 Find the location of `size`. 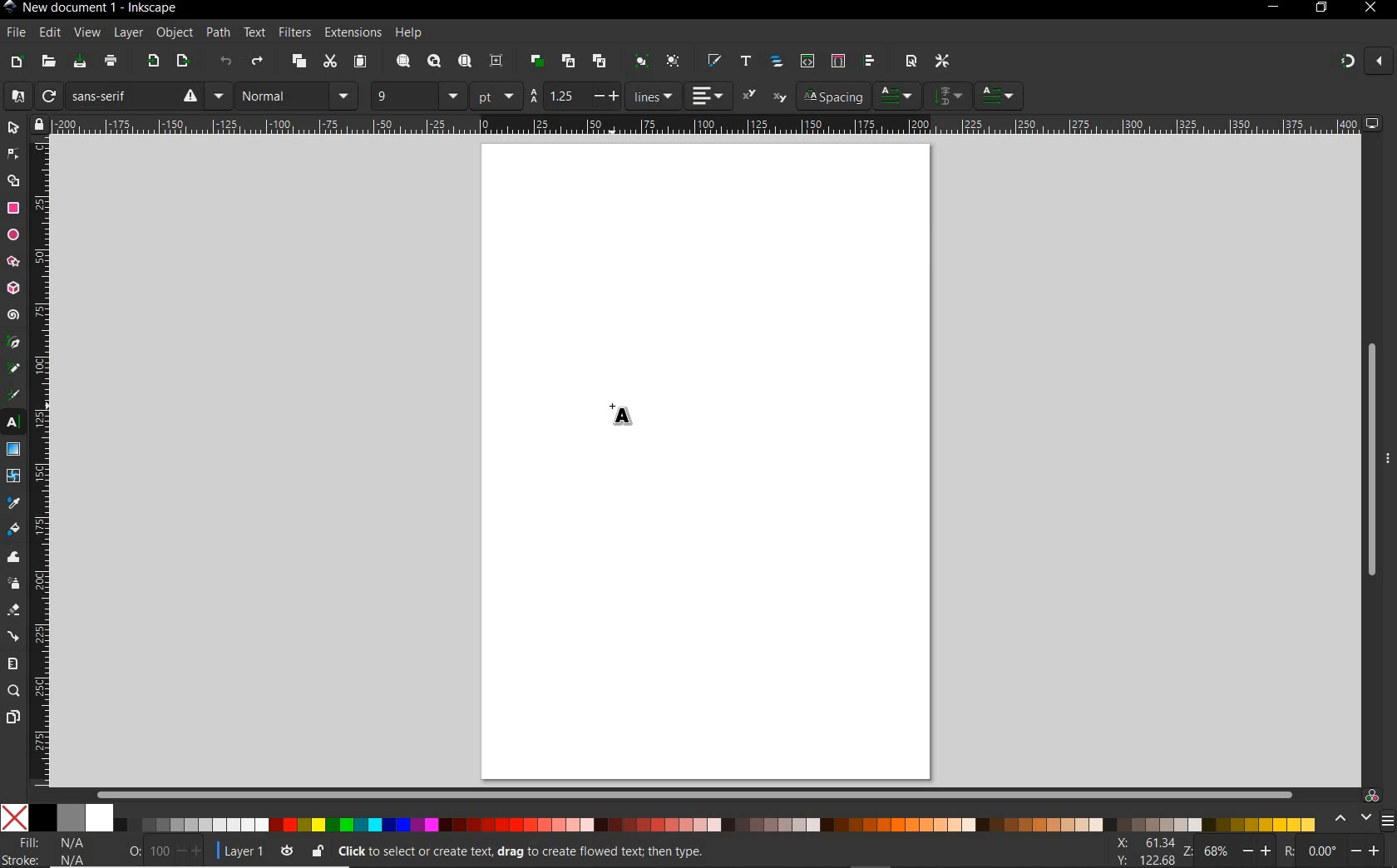

size is located at coordinates (453, 96).